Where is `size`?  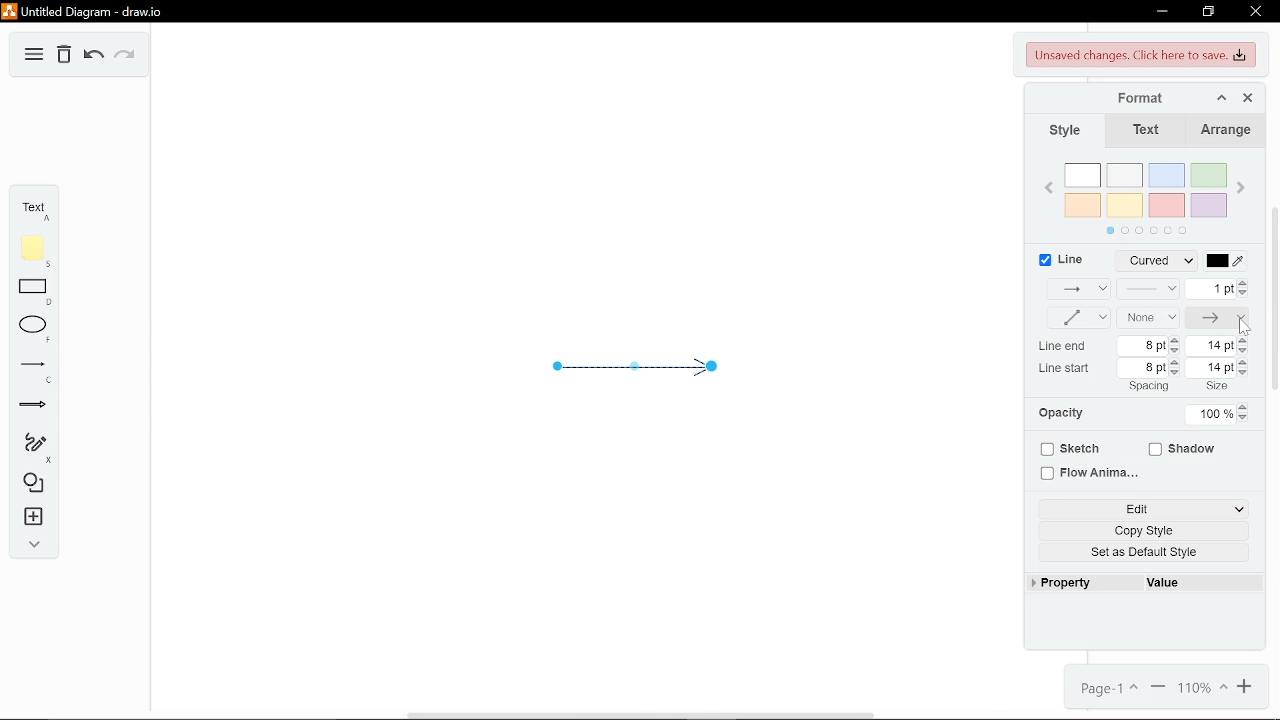 size is located at coordinates (1217, 385).